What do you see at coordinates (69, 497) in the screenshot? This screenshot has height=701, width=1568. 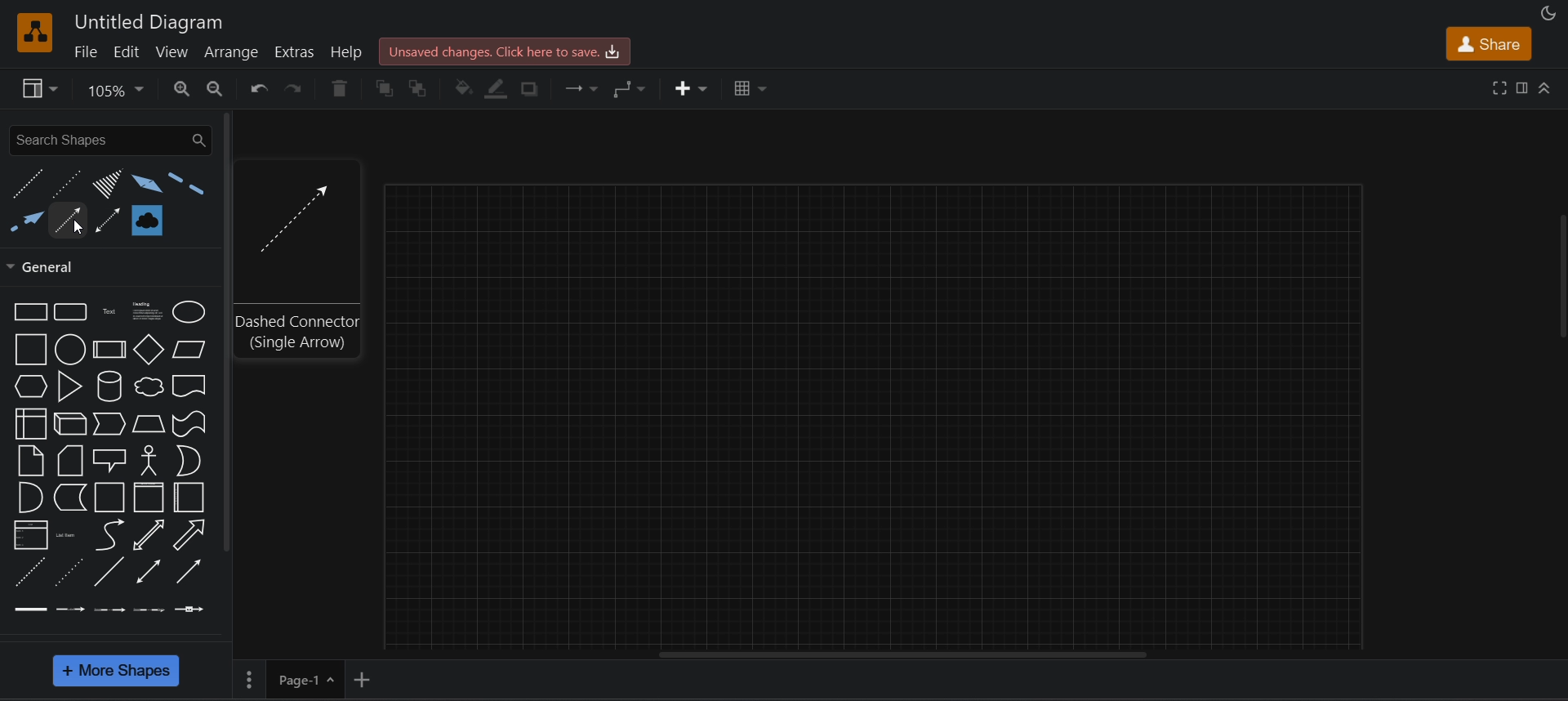 I see `data storage` at bounding box center [69, 497].